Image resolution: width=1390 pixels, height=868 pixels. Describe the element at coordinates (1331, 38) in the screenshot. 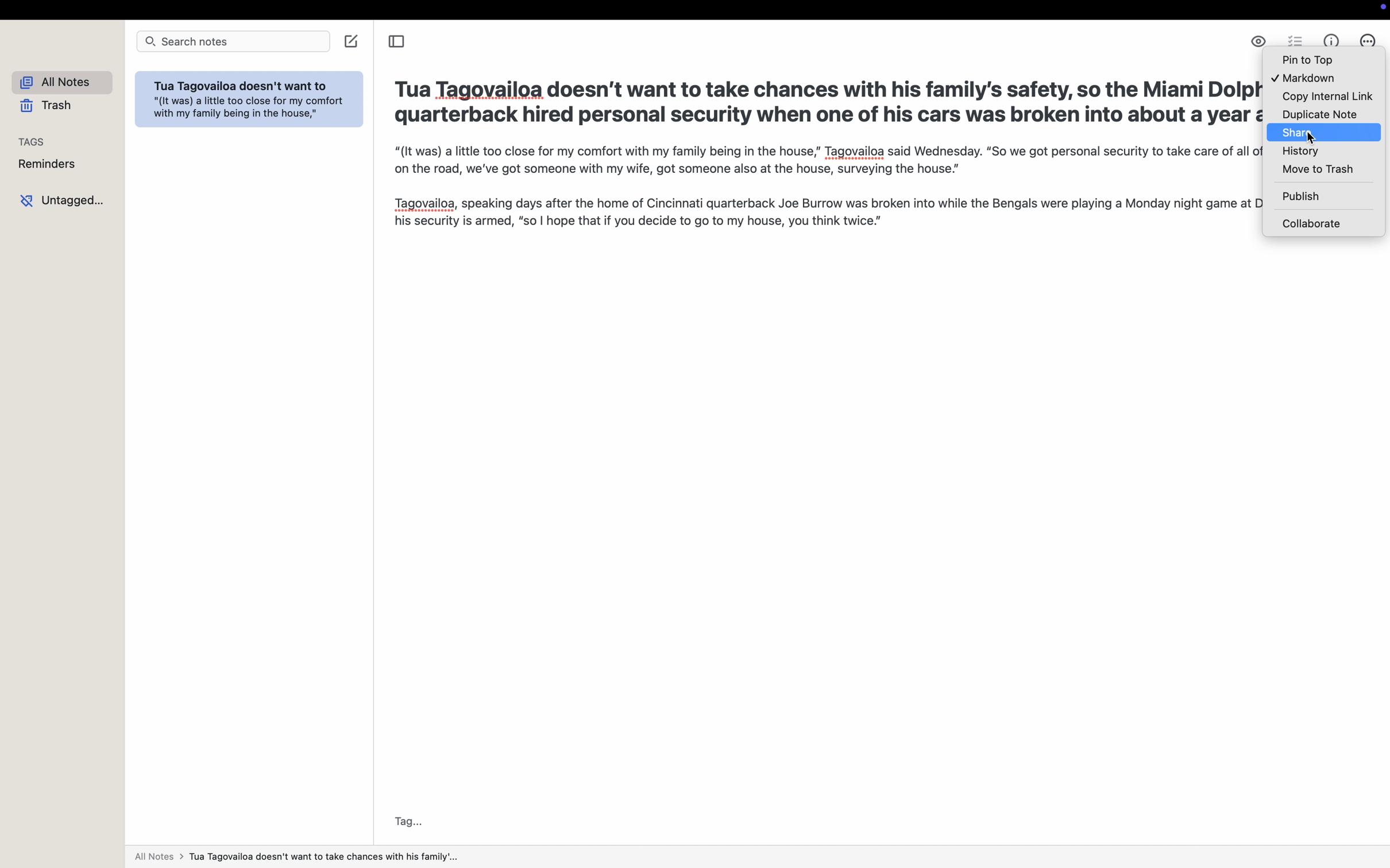

I see `metrics` at that location.